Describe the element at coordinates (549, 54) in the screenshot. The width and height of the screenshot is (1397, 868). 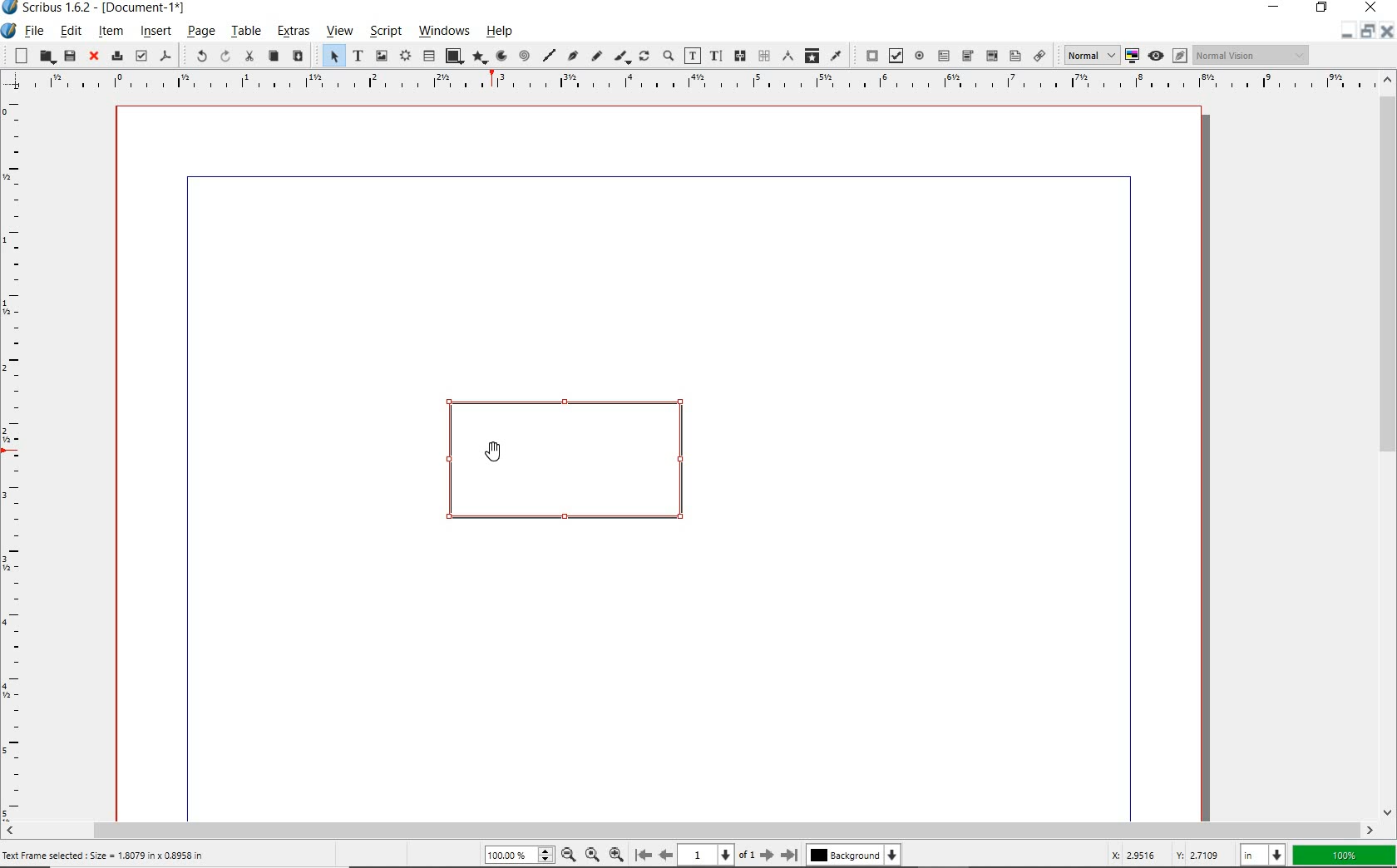
I see `line` at that location.